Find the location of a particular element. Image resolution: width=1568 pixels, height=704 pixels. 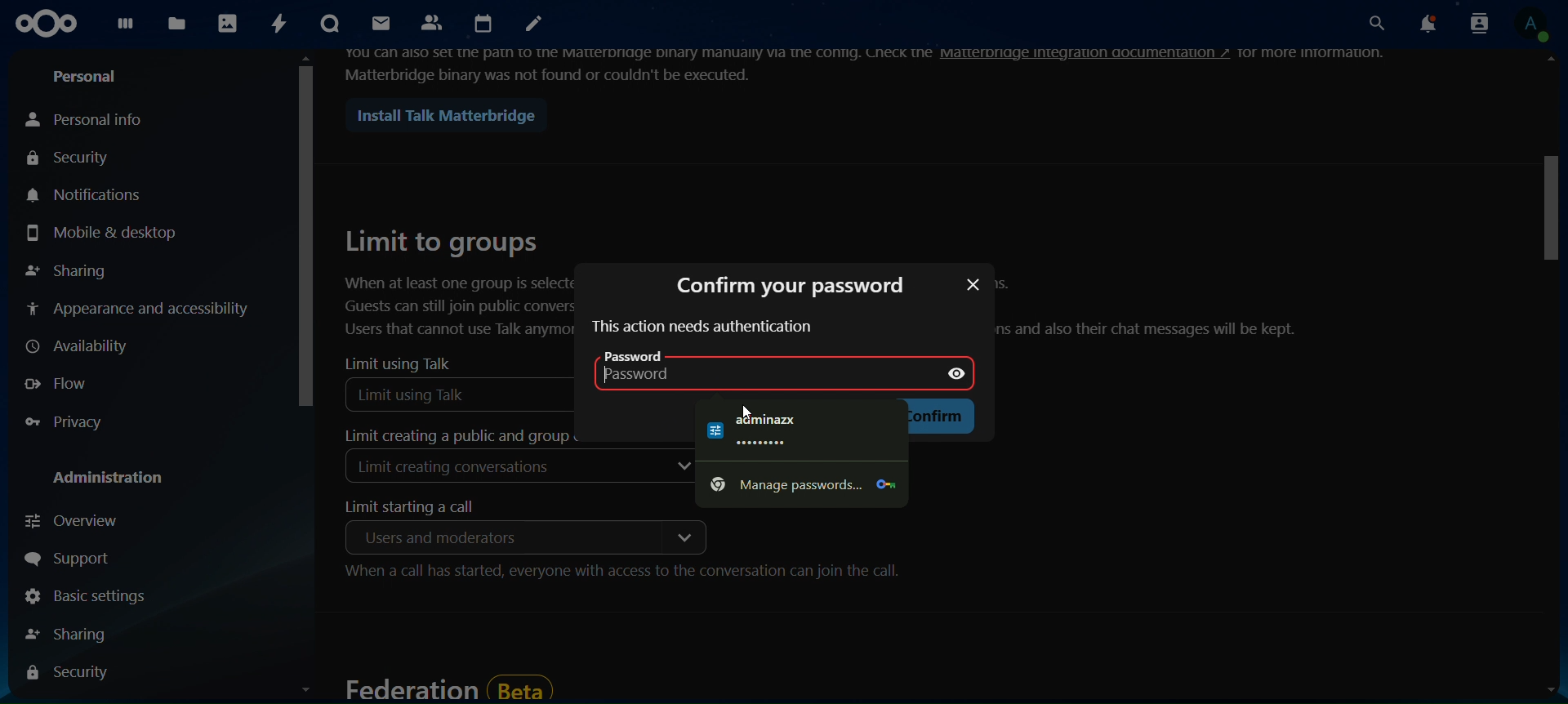

dropdown is located at coordinates (683, 537).